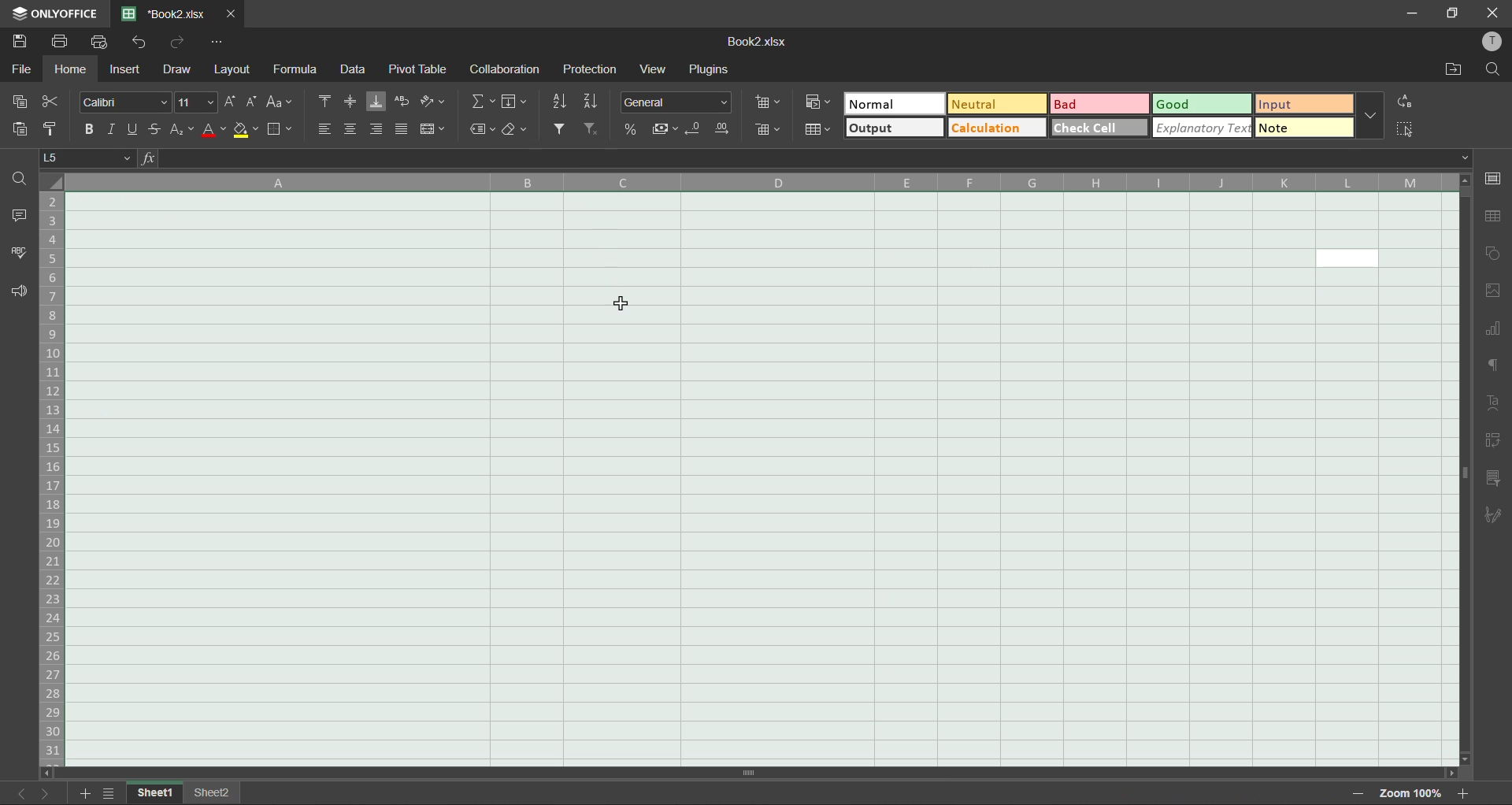 The height and width of the screenshot is (805, 1512). I want to click on sort ascending, so click(559, 102).